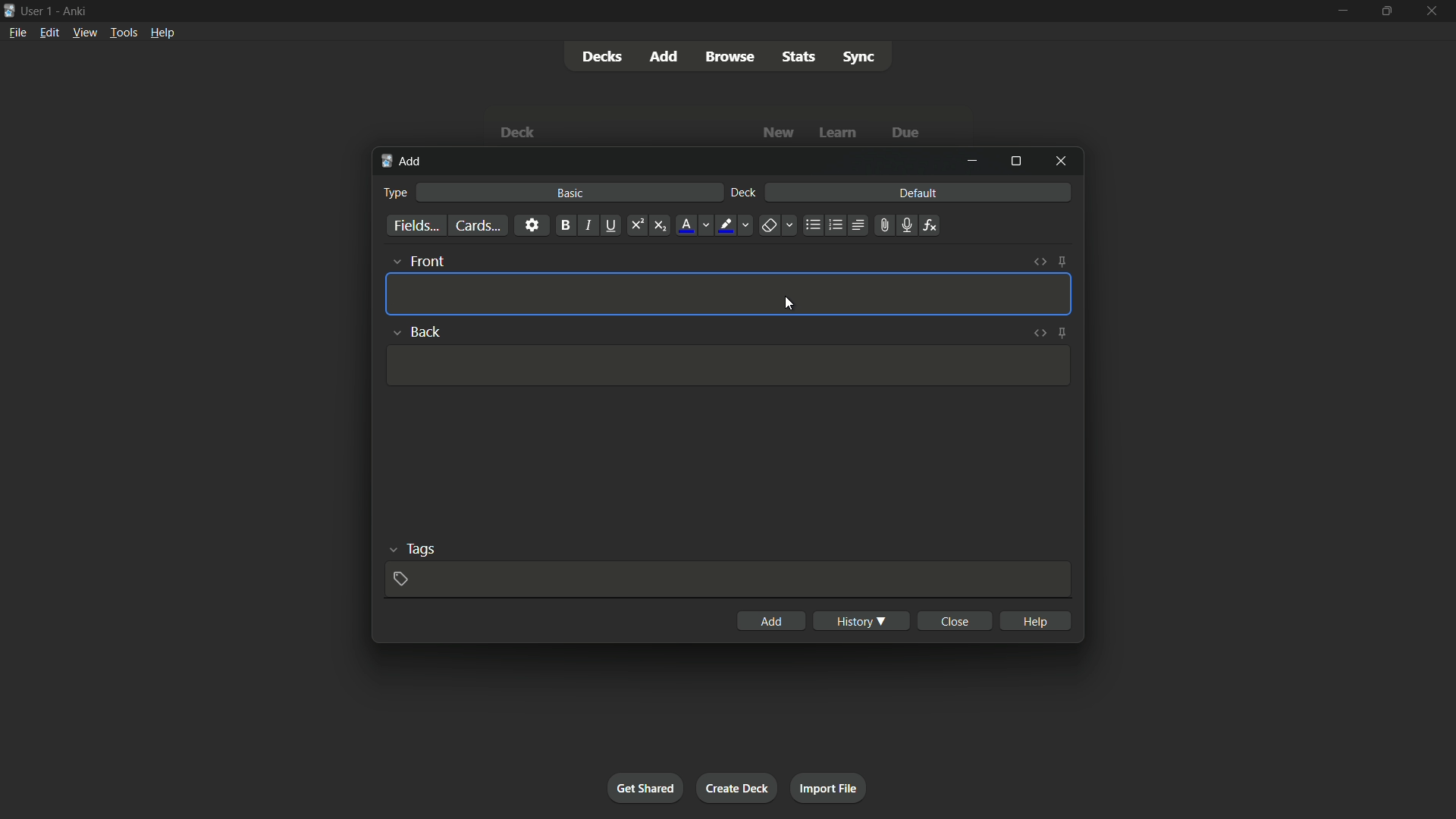 The width and height of the screenshot is (1456, 819). Describe the element at coordinates (1037, 620) in the screenshot. I see `help` at that location.